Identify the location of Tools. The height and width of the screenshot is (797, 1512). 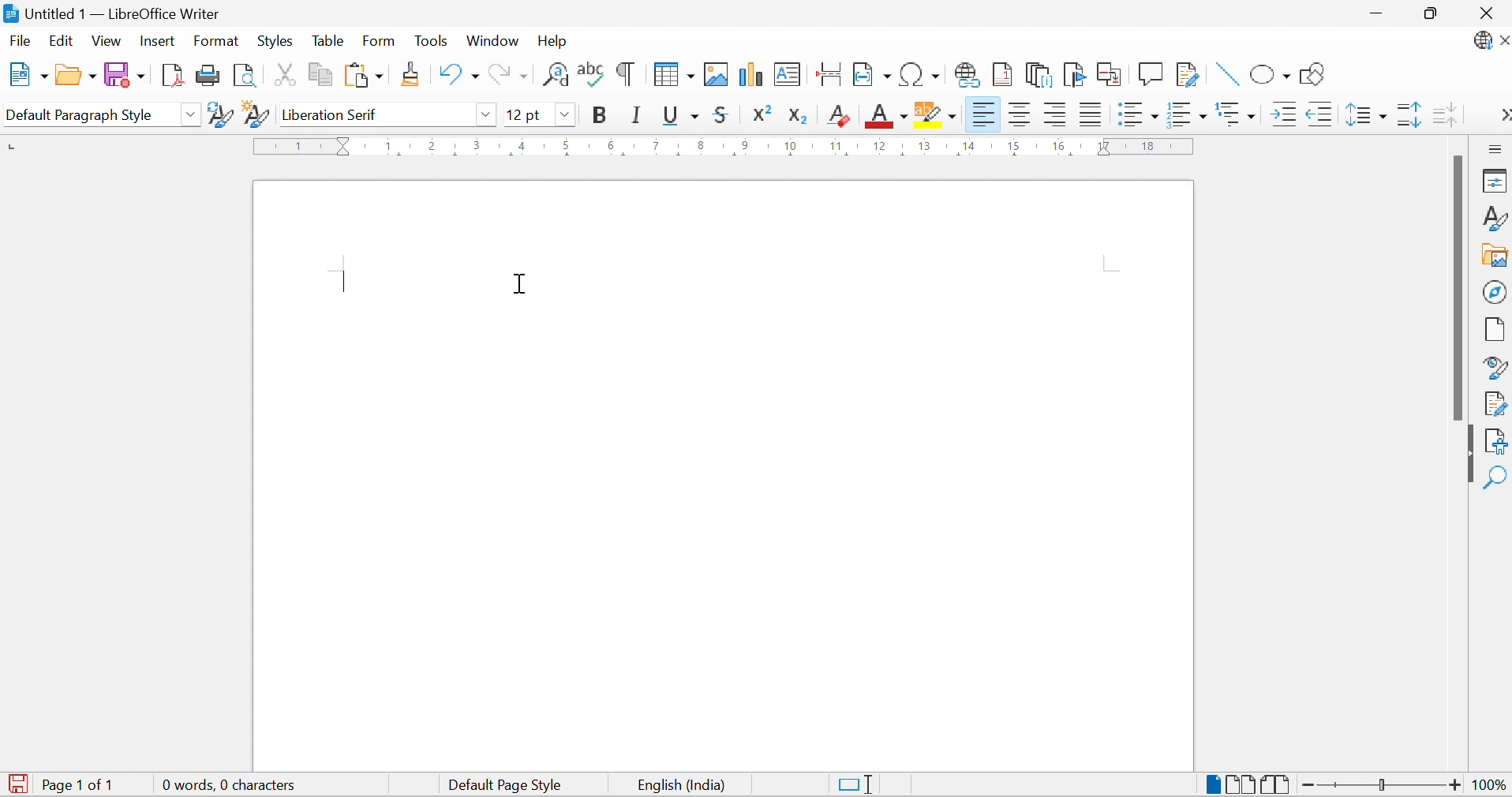
(429, 39).